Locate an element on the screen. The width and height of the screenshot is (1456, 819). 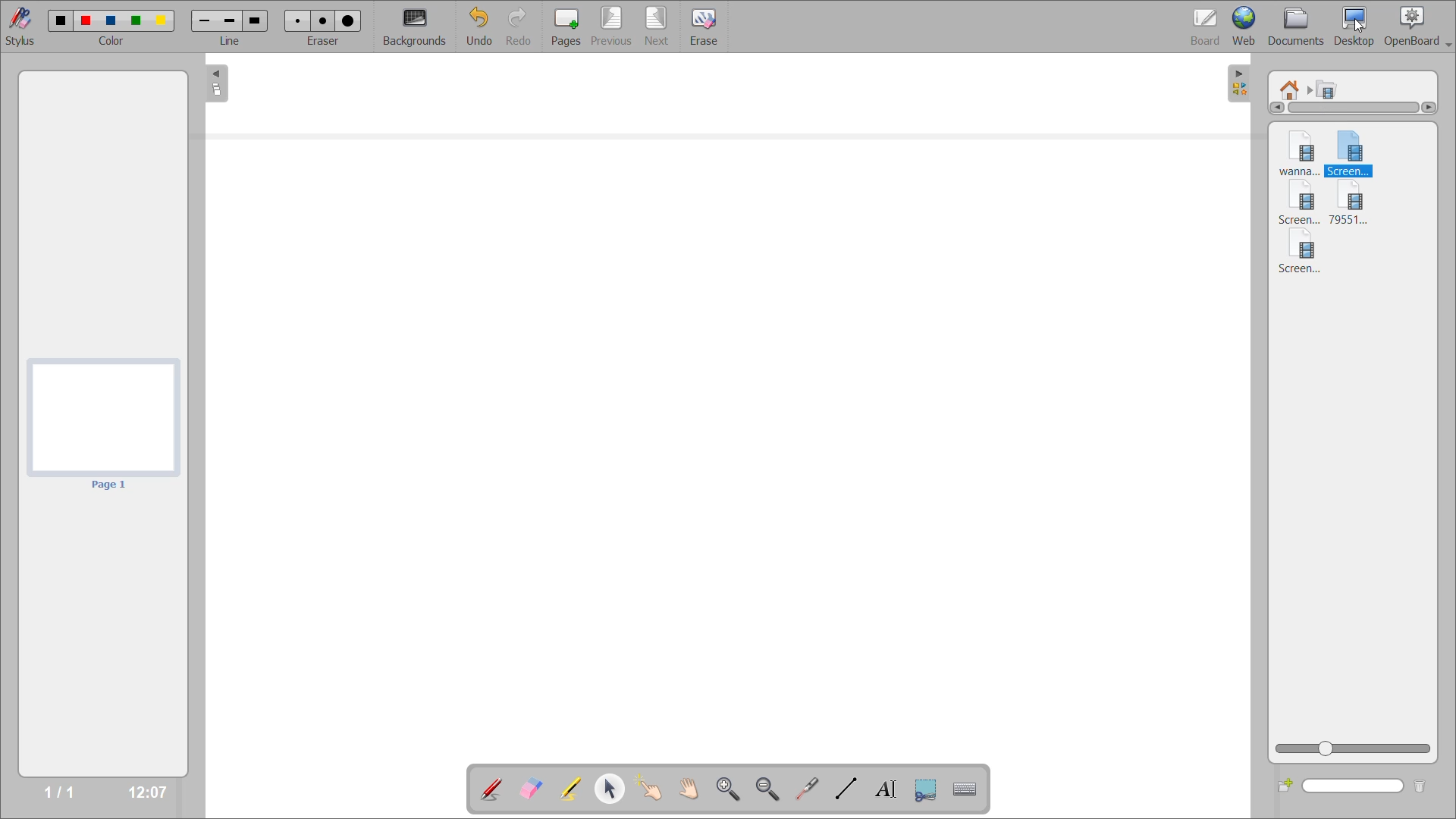
delete is located at coordinates (1420, 787).